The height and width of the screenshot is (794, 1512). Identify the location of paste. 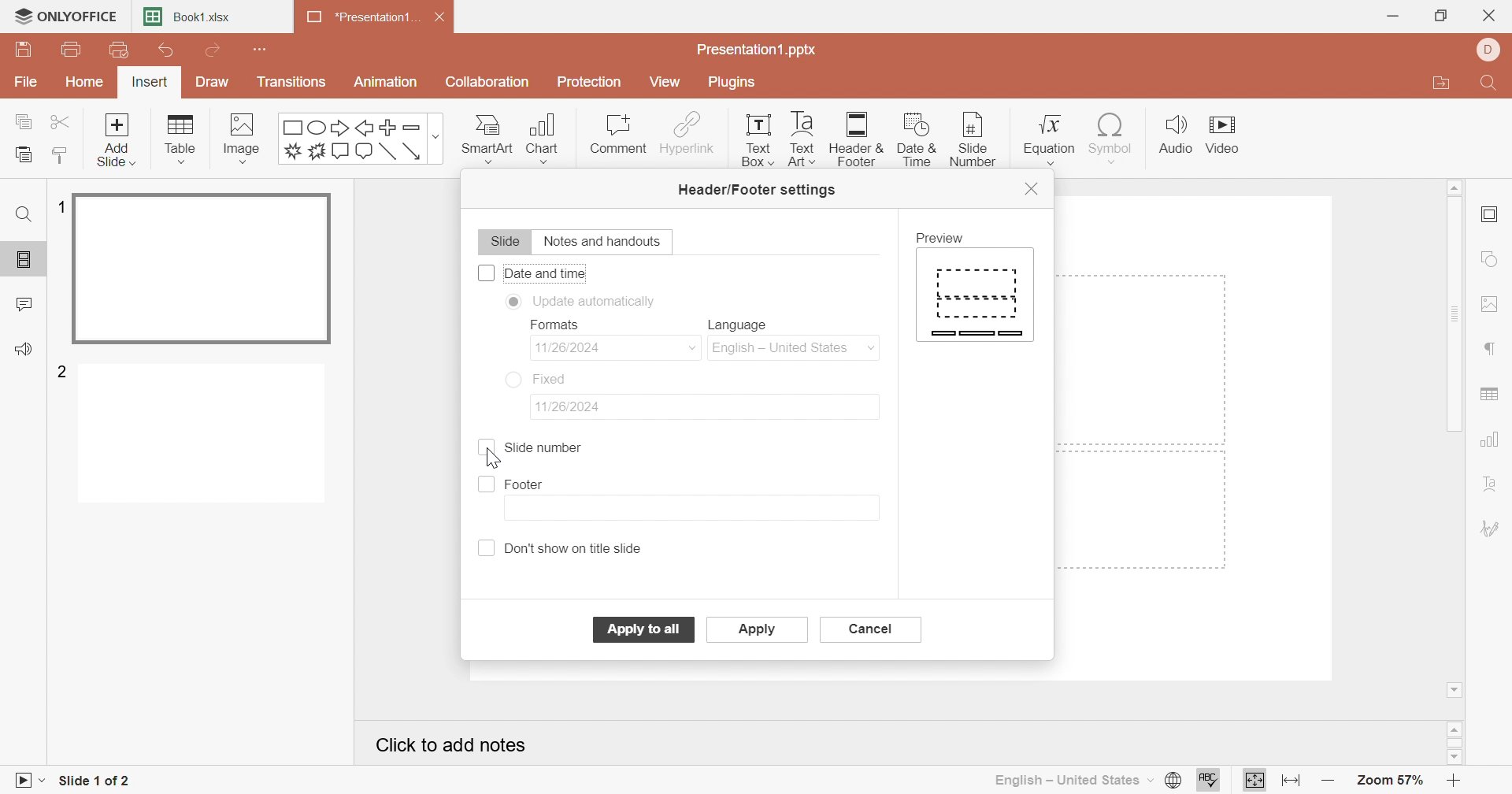
(21, 155).